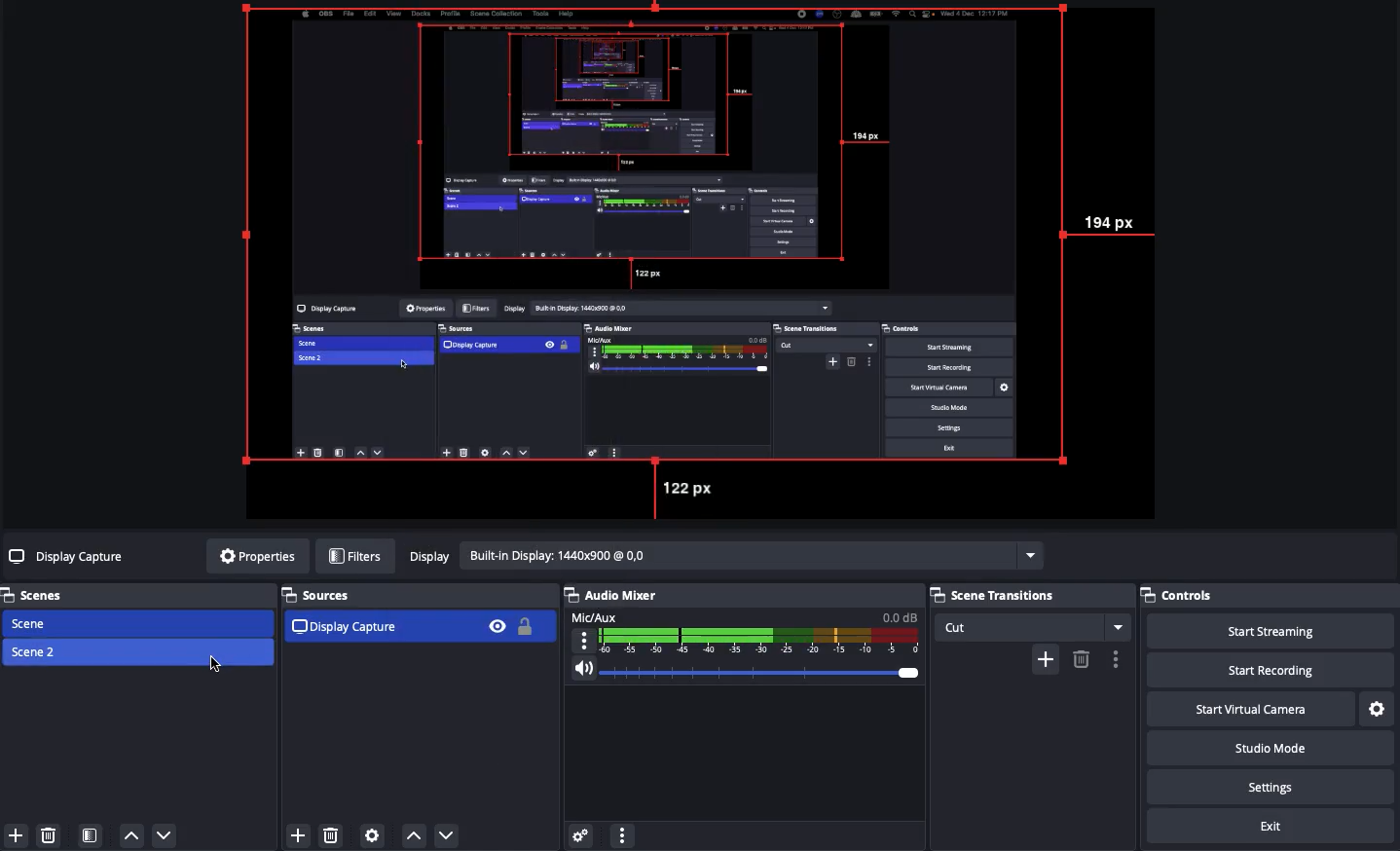 This screenshot has height=851, width=1400. Describe the element at coordinates (1081, 658) in the screenshot. I see `delete` at that location.